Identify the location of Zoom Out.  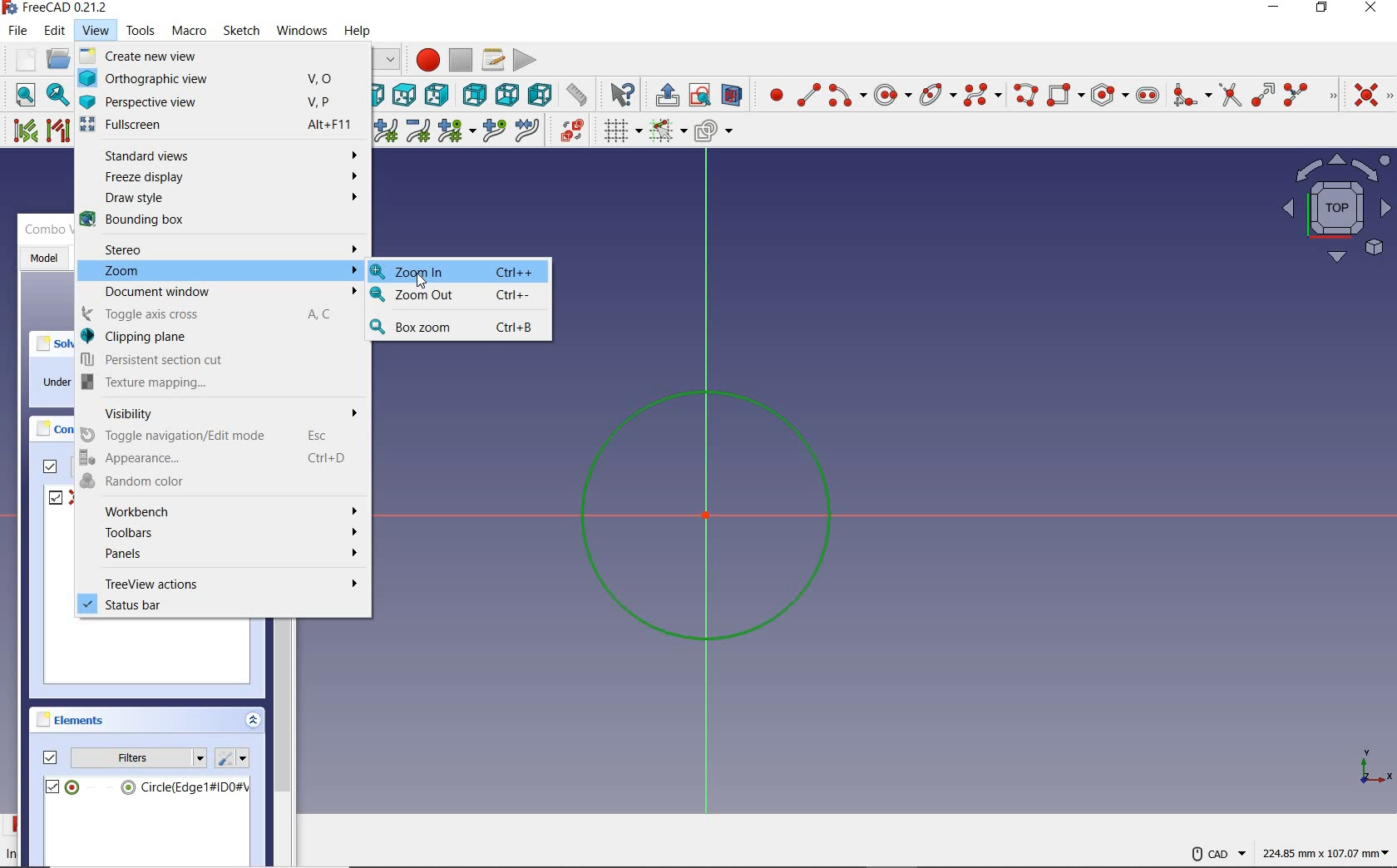
(456, 294).